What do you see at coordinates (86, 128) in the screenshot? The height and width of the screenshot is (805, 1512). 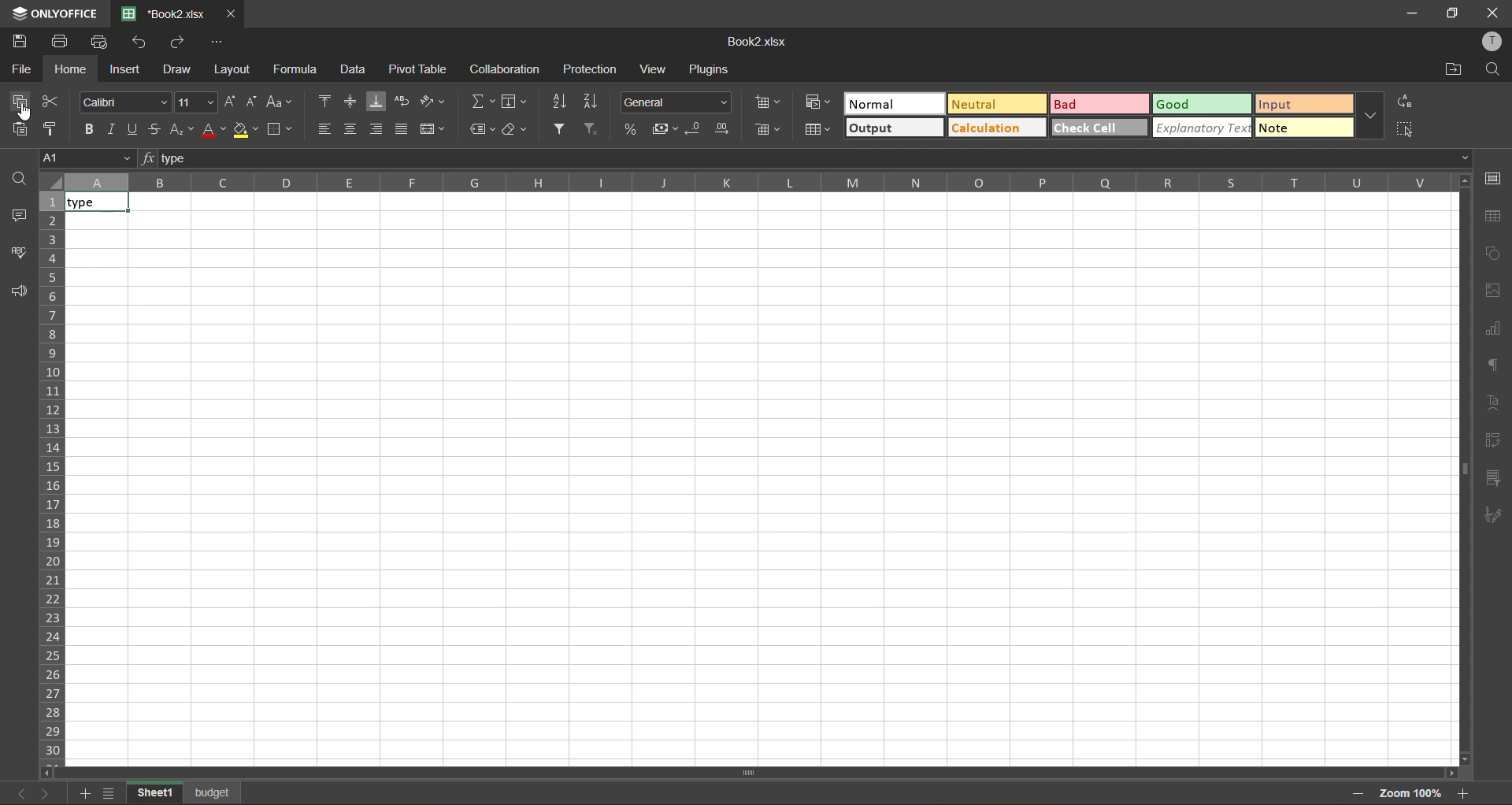 I see `bold` at bounding box center [86, 128].